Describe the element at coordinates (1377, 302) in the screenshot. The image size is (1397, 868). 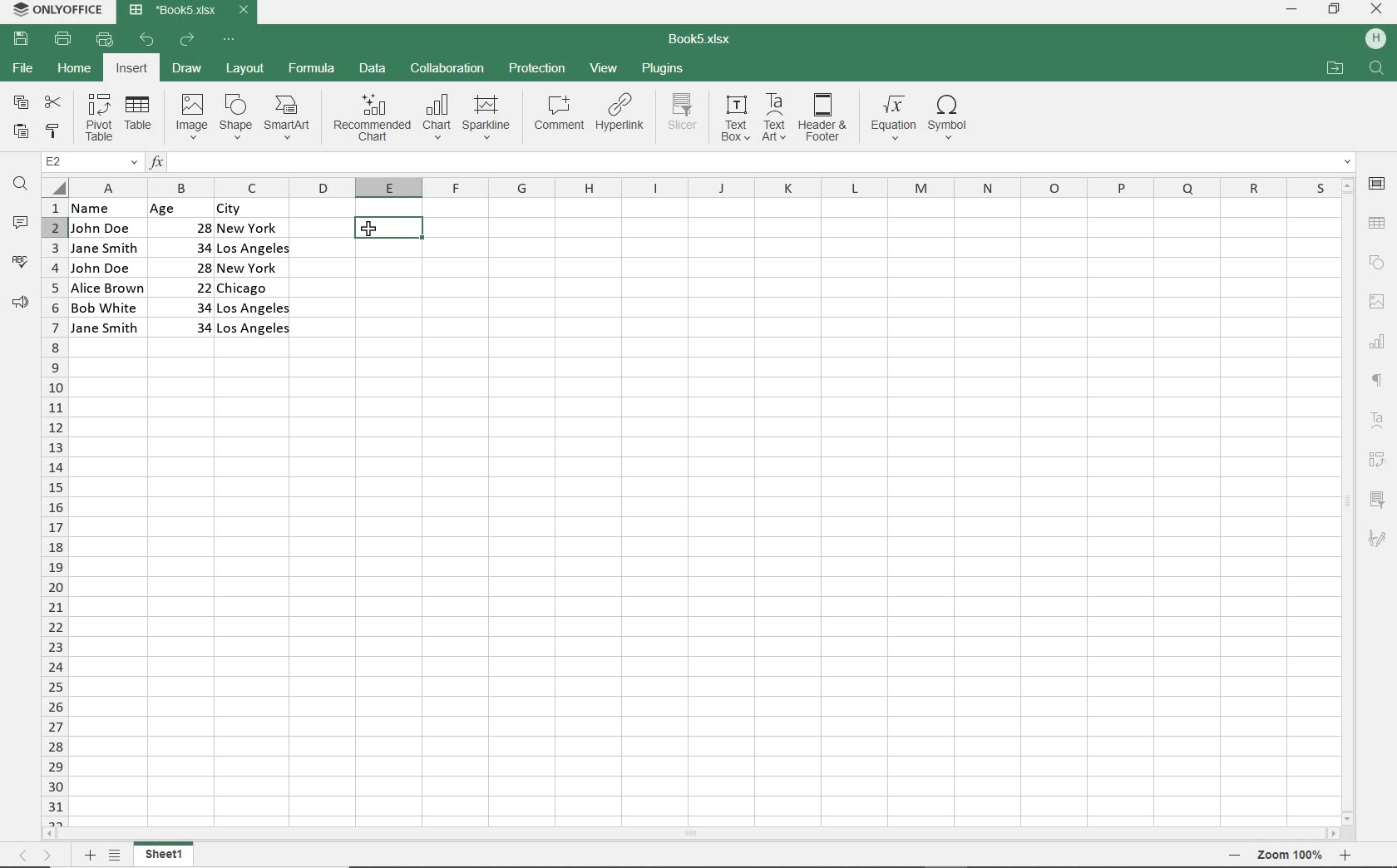
I see `IMAGE` at that location.